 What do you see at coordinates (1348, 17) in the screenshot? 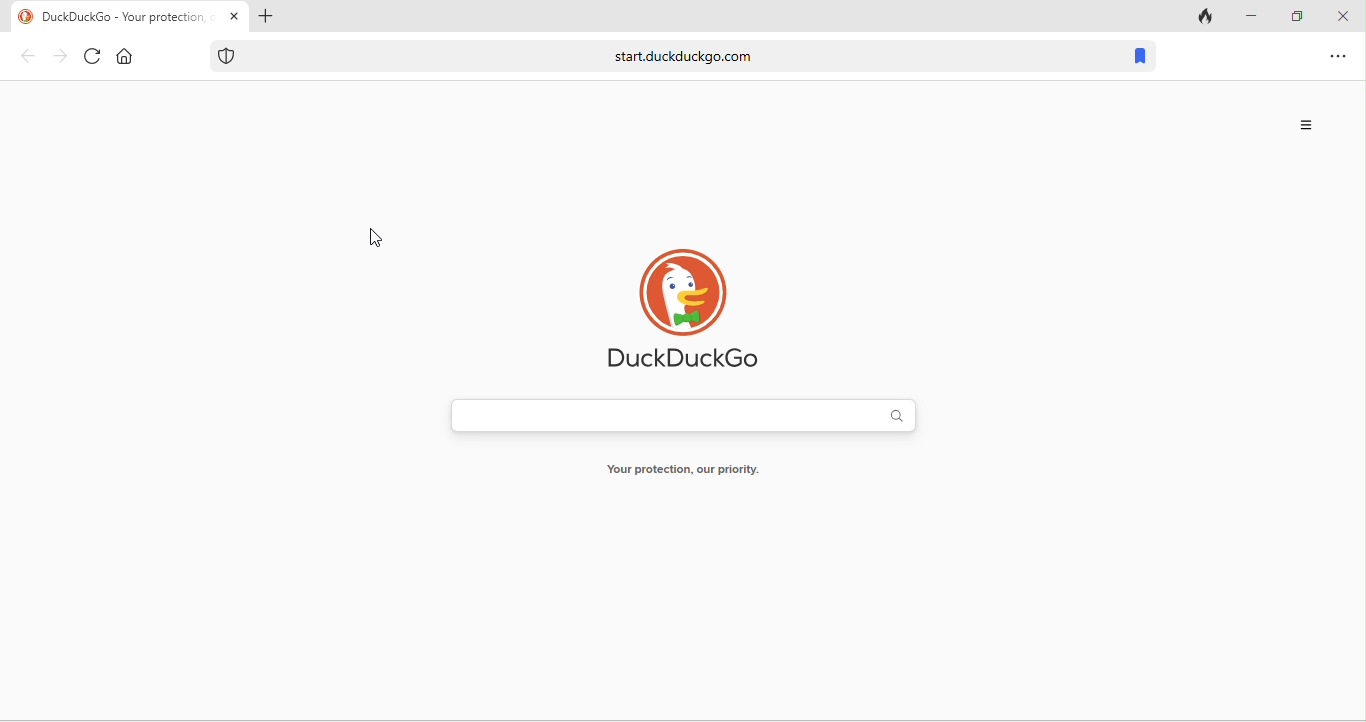
I see `close` at bounding box center [1348, 17].